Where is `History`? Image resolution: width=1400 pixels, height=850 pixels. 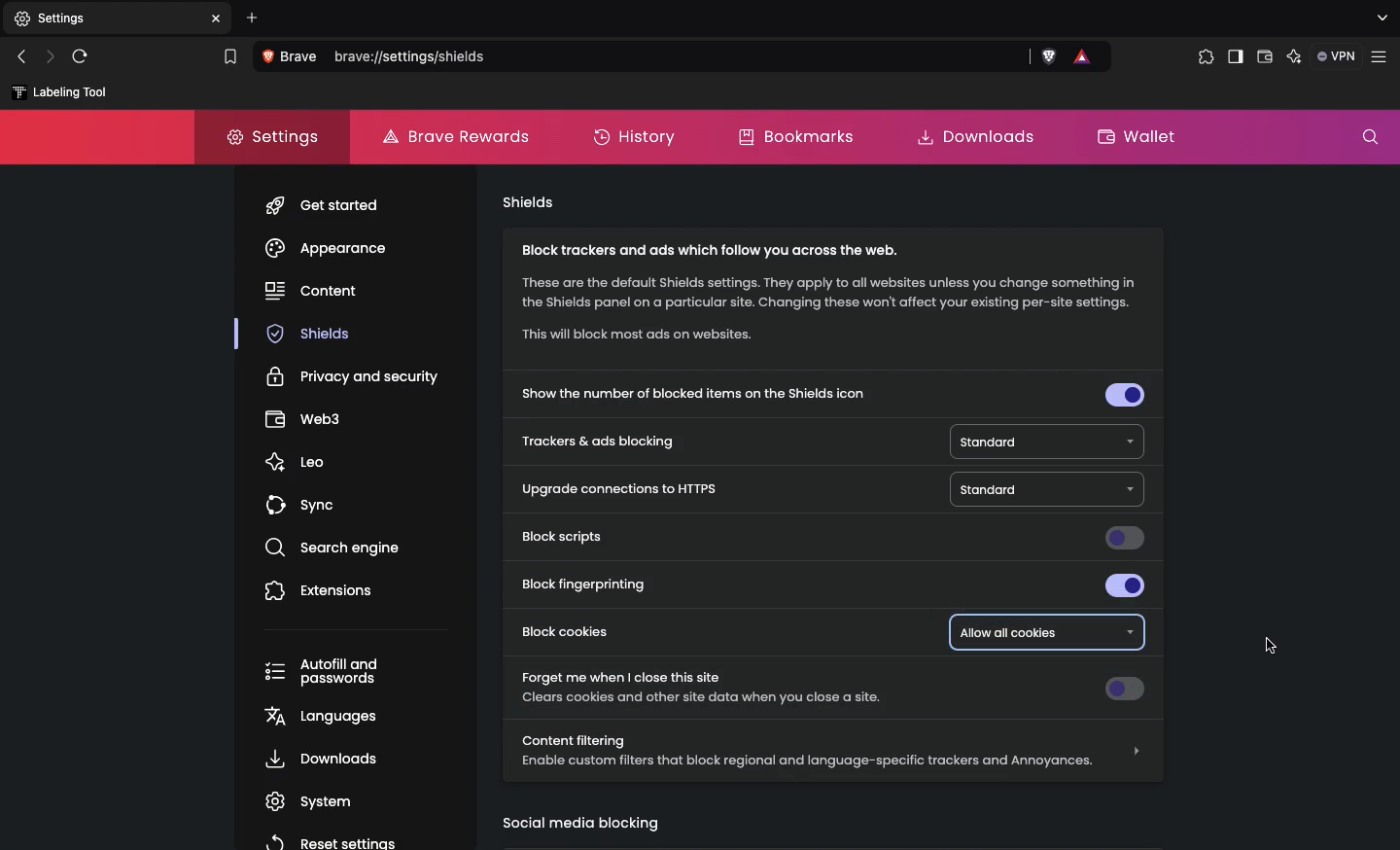
History is located at coordinates (638, 137).